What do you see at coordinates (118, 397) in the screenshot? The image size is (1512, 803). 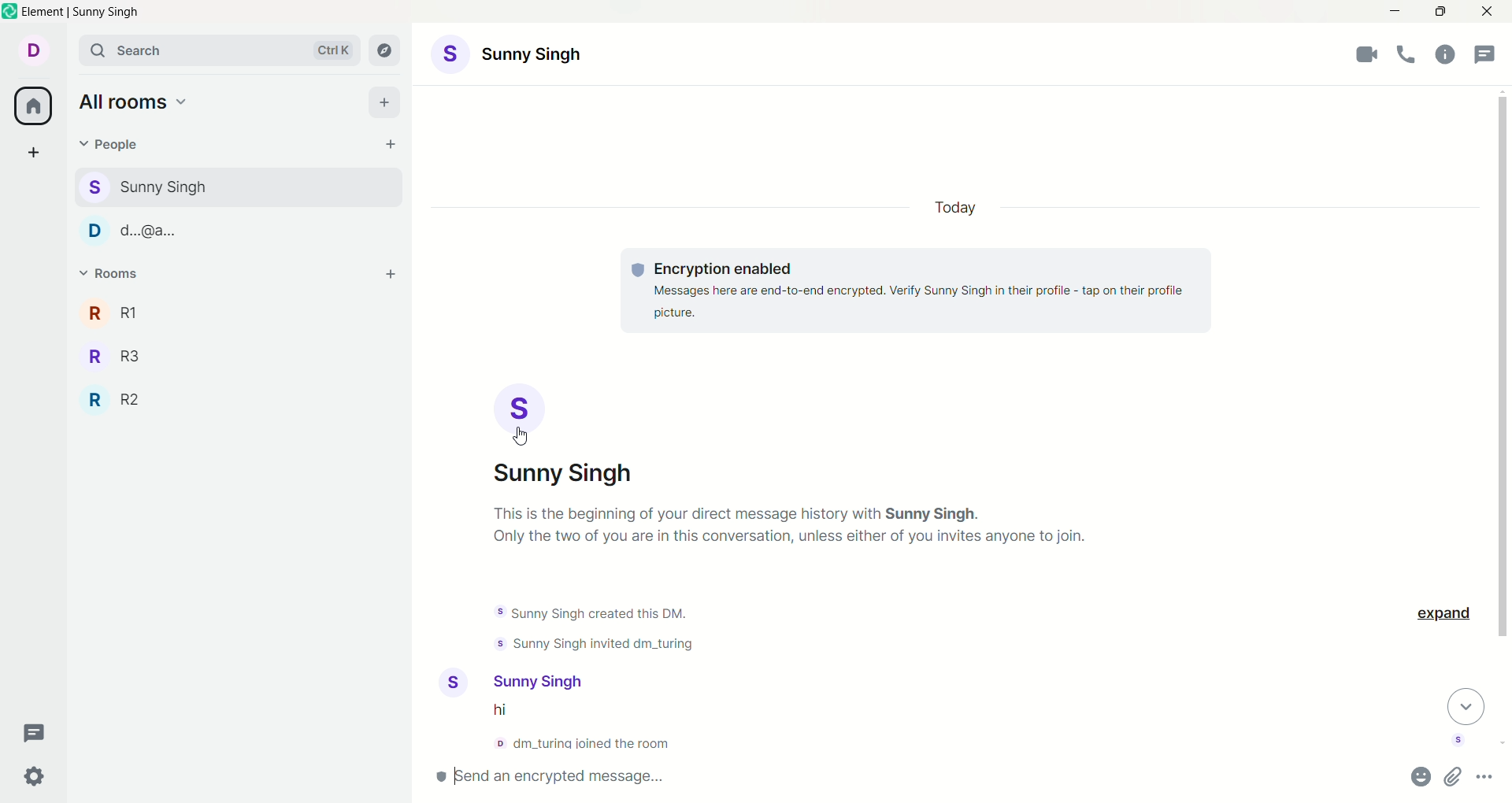 I see `R2` at bounding box center [118, 397].